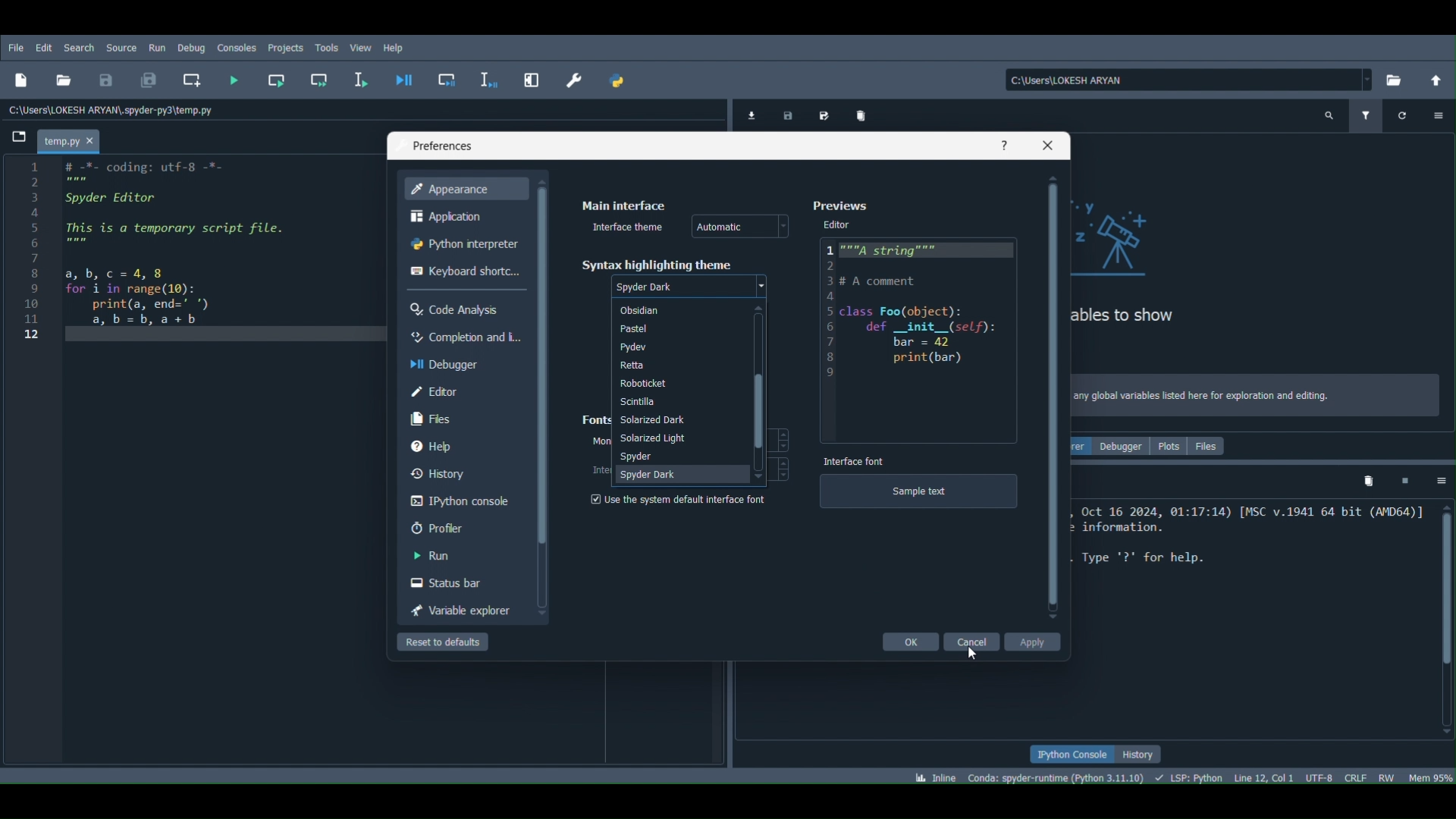 The width and height of the screenshot is (1456, 819). I want to click on Save file (Ctrl + S), so click(106, 79).